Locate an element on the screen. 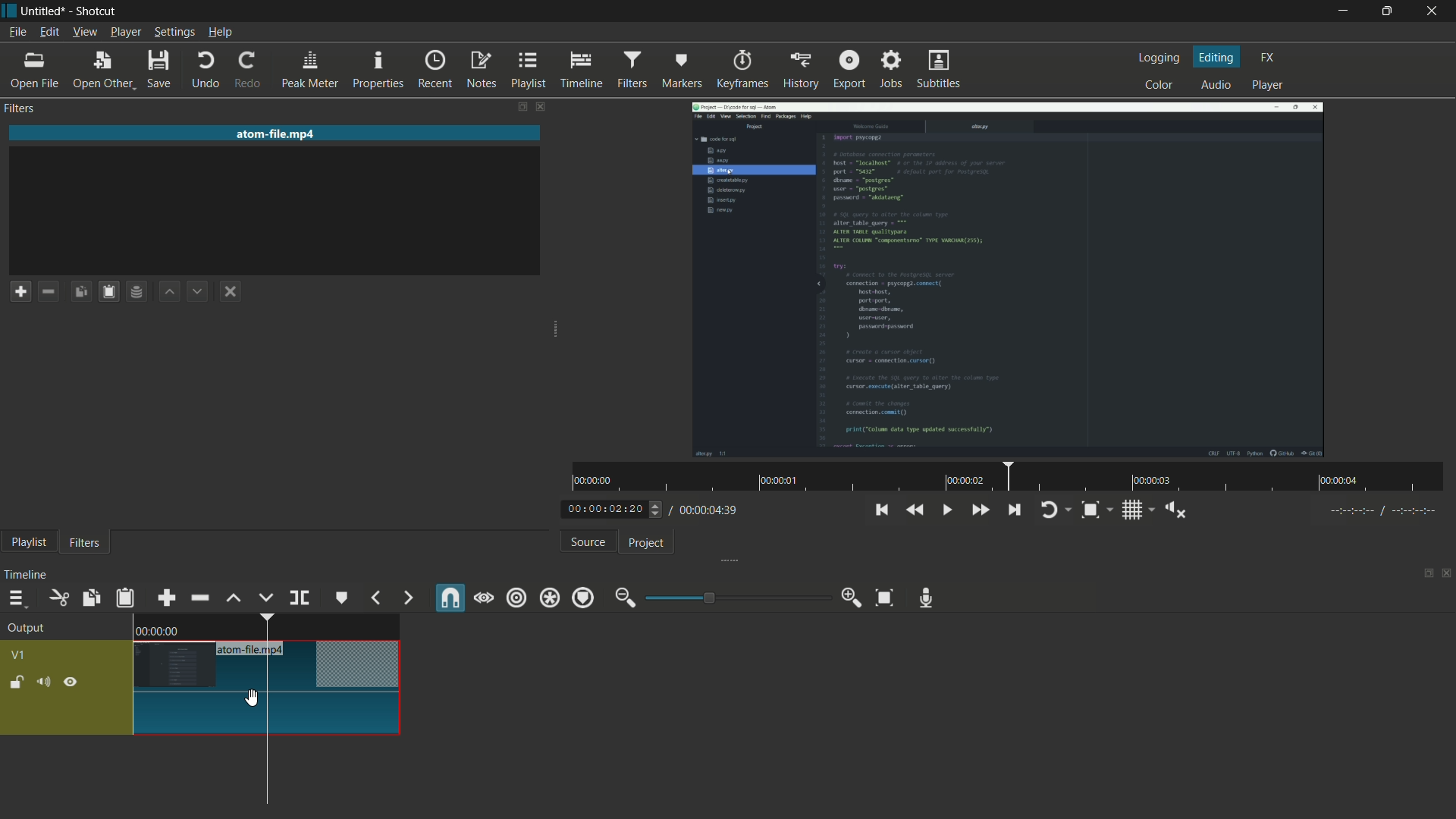 This screenshot has width=1456, height=819. change layout is located at coordinates (1423, 576).